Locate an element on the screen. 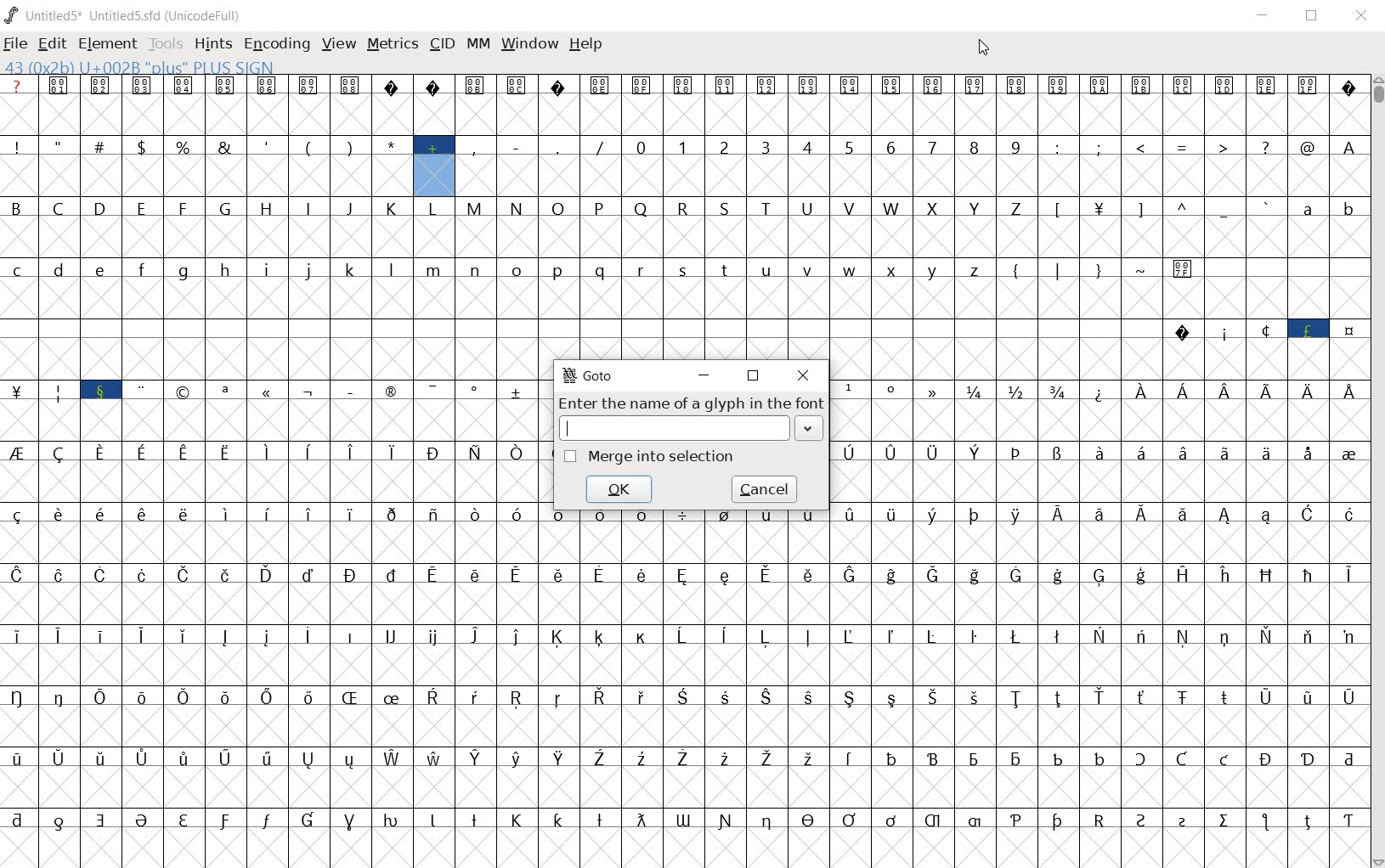 This screenshot has height=868, width=1385. metrics is located at coordinates (392, 44).